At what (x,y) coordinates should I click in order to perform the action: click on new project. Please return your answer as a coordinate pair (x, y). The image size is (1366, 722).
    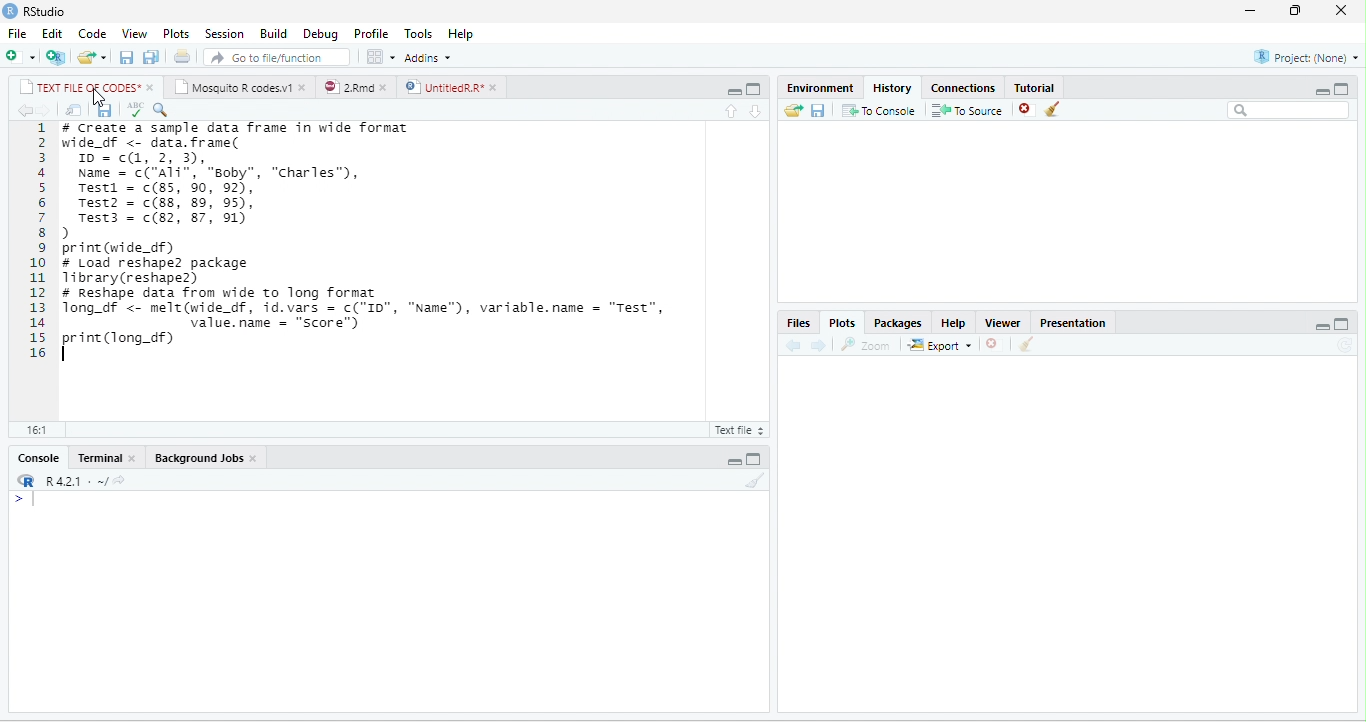
    Looking at the image, I should click on (56, 57).